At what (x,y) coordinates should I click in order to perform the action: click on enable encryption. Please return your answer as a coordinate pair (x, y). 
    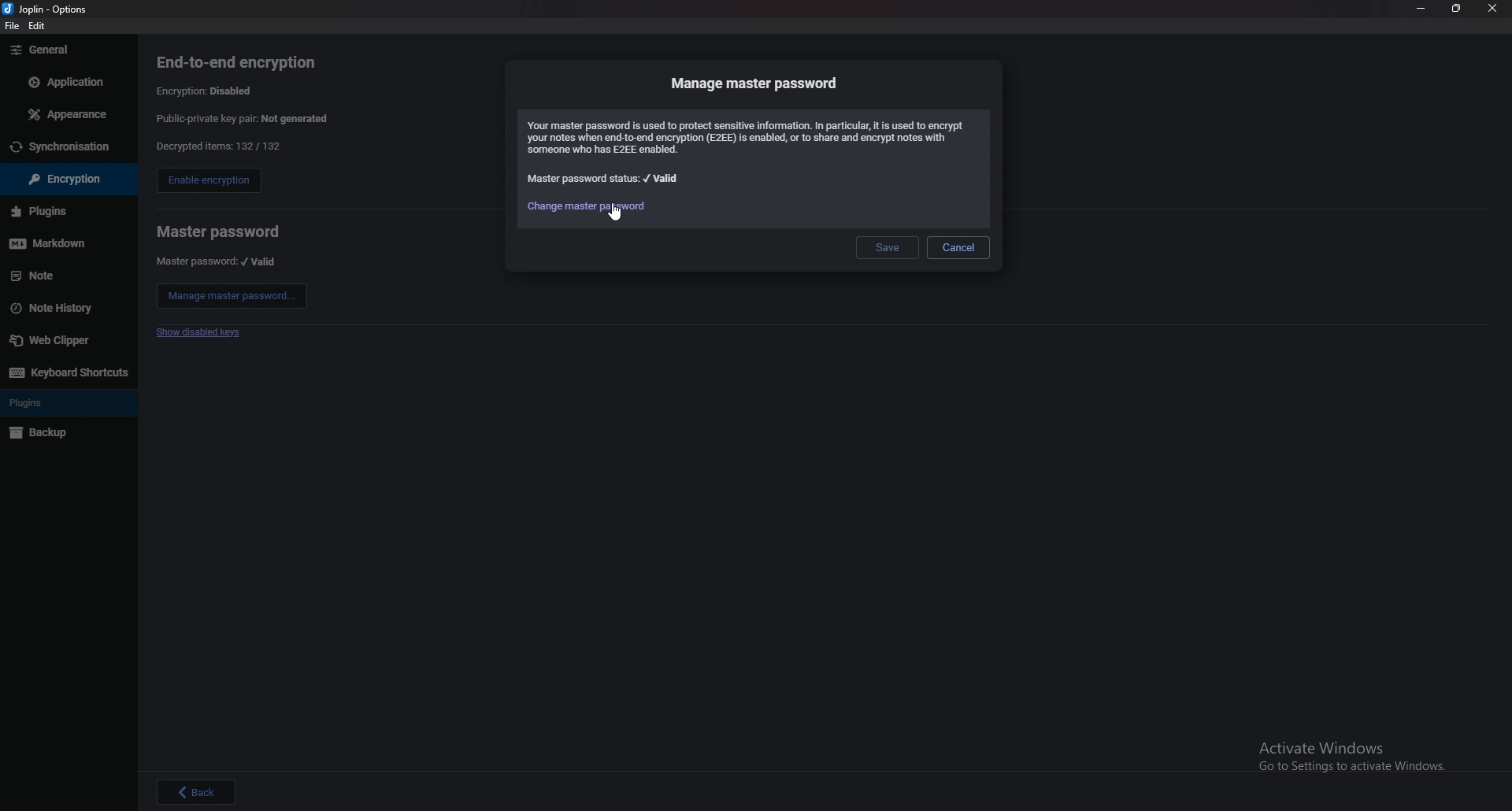
    Looking at the image, I should click on (208, 182).